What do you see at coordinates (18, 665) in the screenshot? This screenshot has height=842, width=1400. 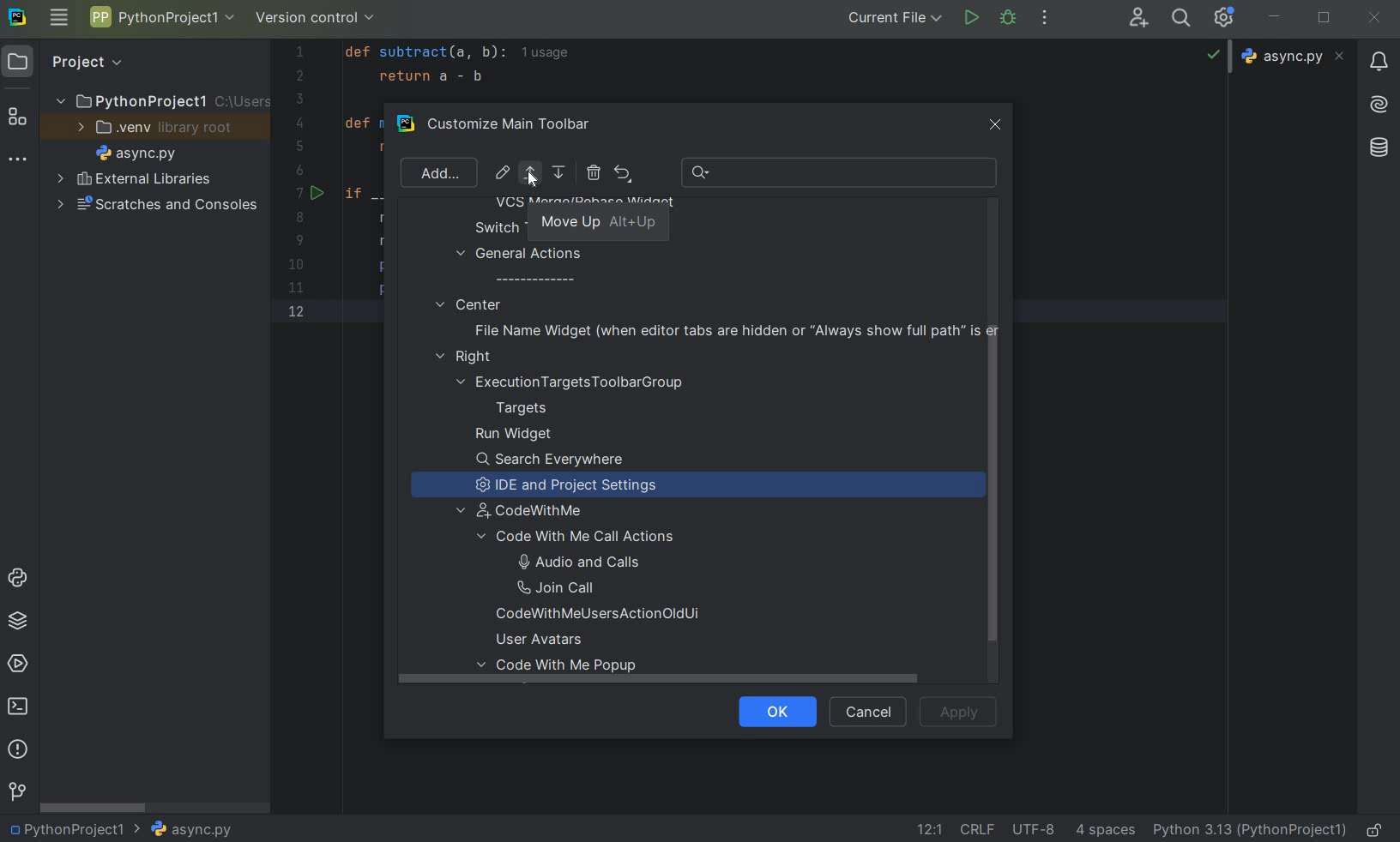 I see `SERVICES` at bounding box center [18, 665].